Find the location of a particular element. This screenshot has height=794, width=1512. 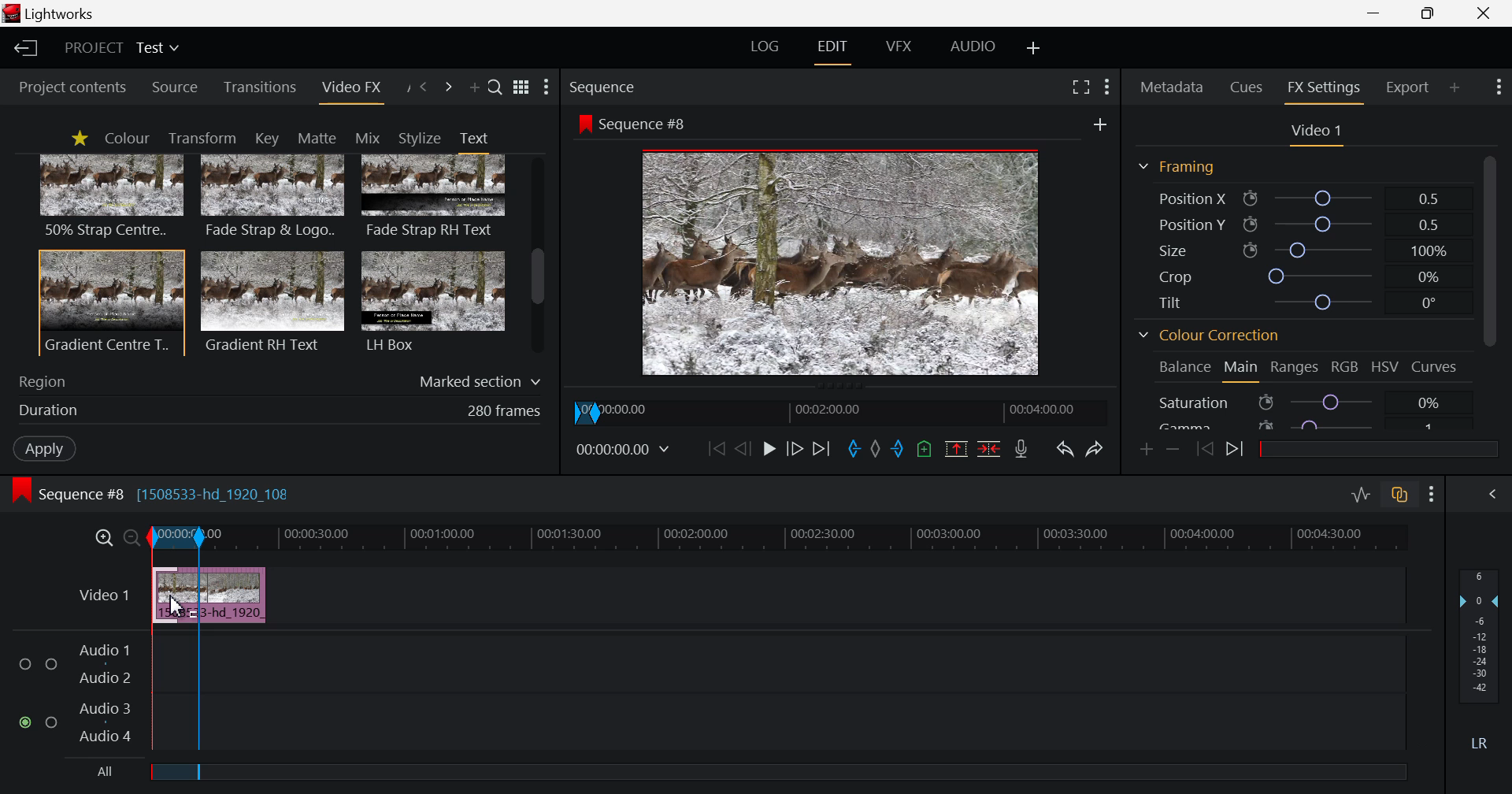

Previous keyframe is located at coordinates (1205, 449).